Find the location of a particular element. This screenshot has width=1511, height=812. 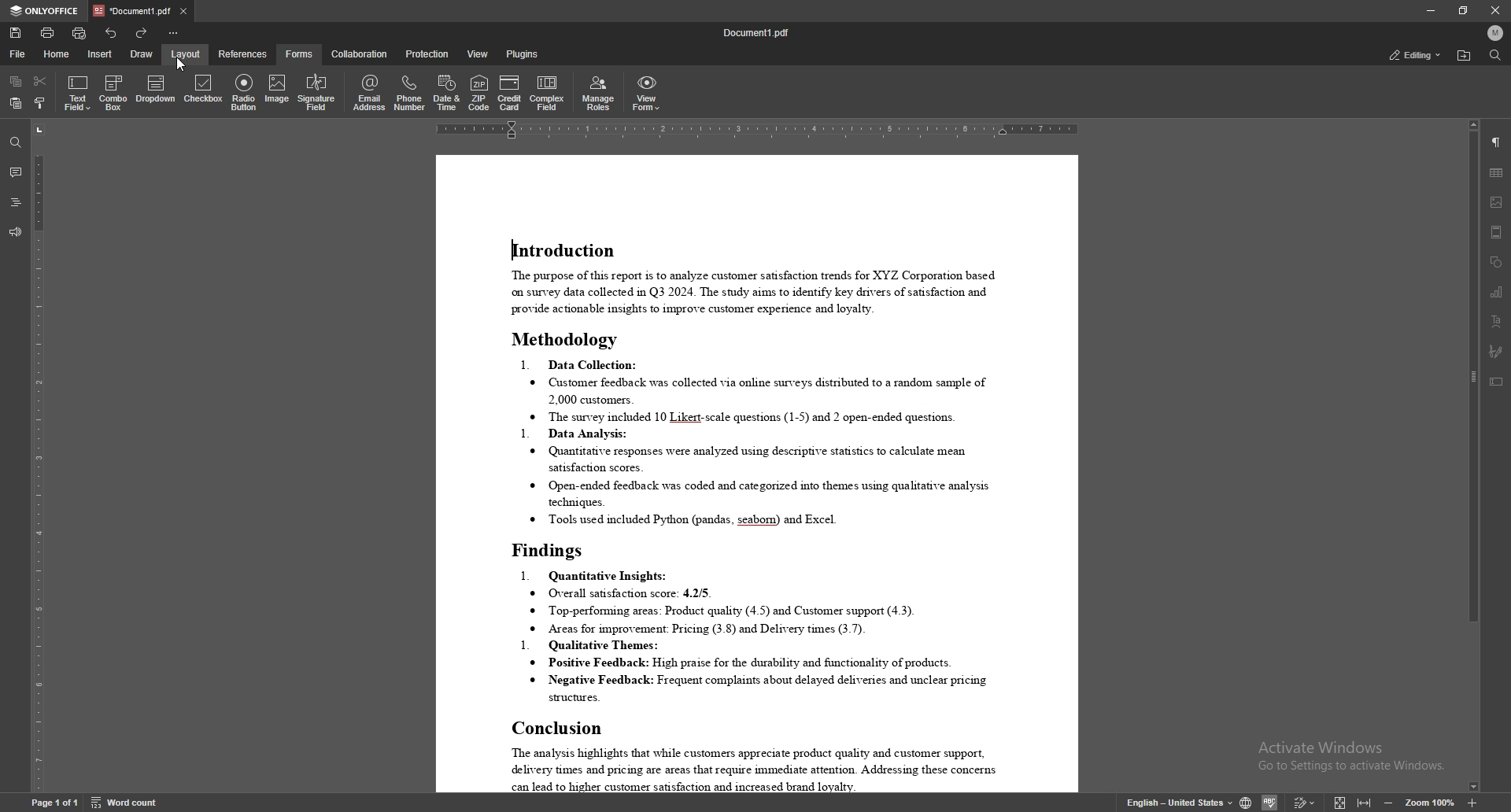

page is located at coordinates (54, 803).